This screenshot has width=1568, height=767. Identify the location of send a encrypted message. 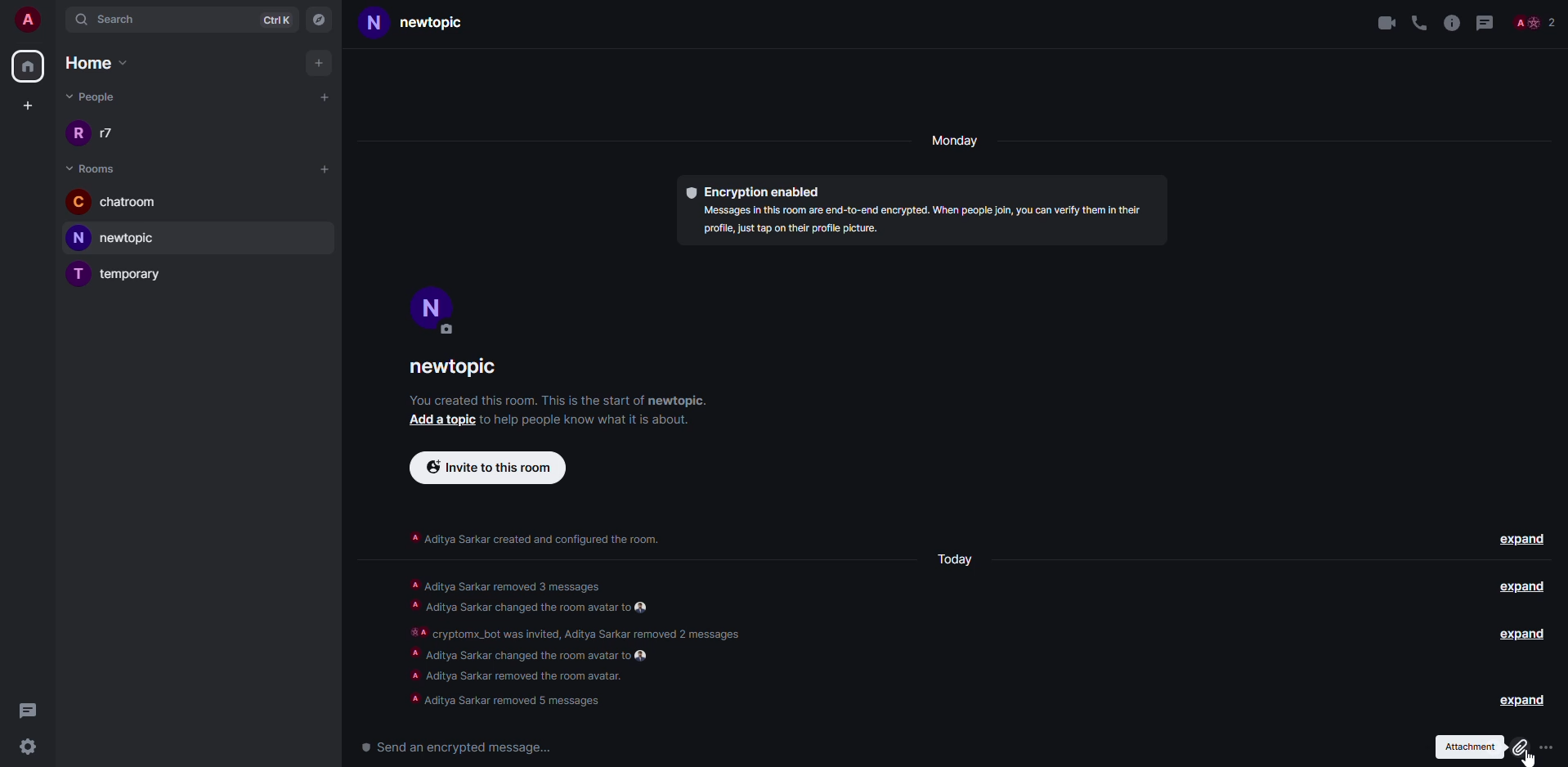
(460, 747).